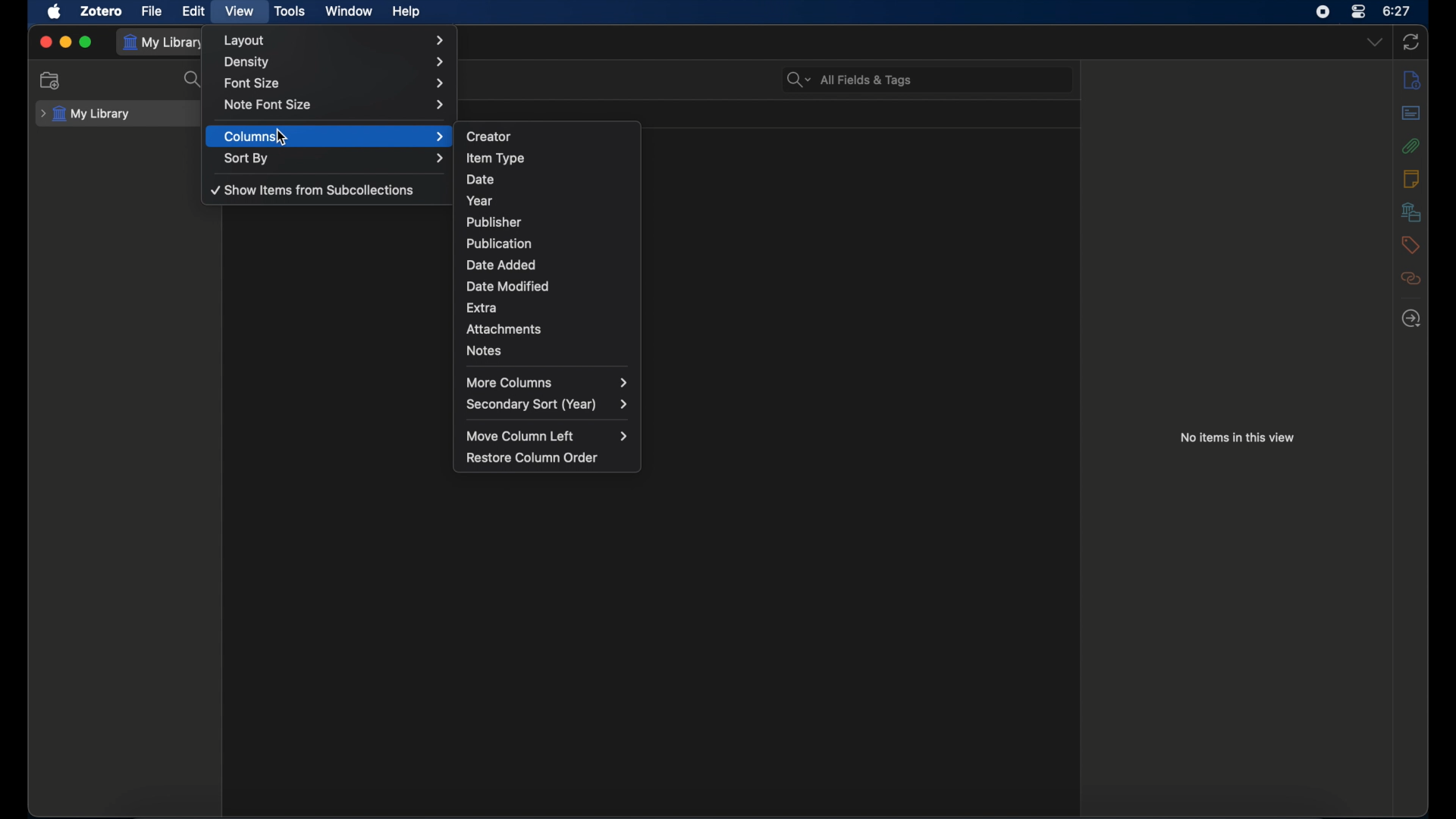  What do you see at coordinates (45, 43) in the screenshot?
I see `close` at bounding box center [45, 43].